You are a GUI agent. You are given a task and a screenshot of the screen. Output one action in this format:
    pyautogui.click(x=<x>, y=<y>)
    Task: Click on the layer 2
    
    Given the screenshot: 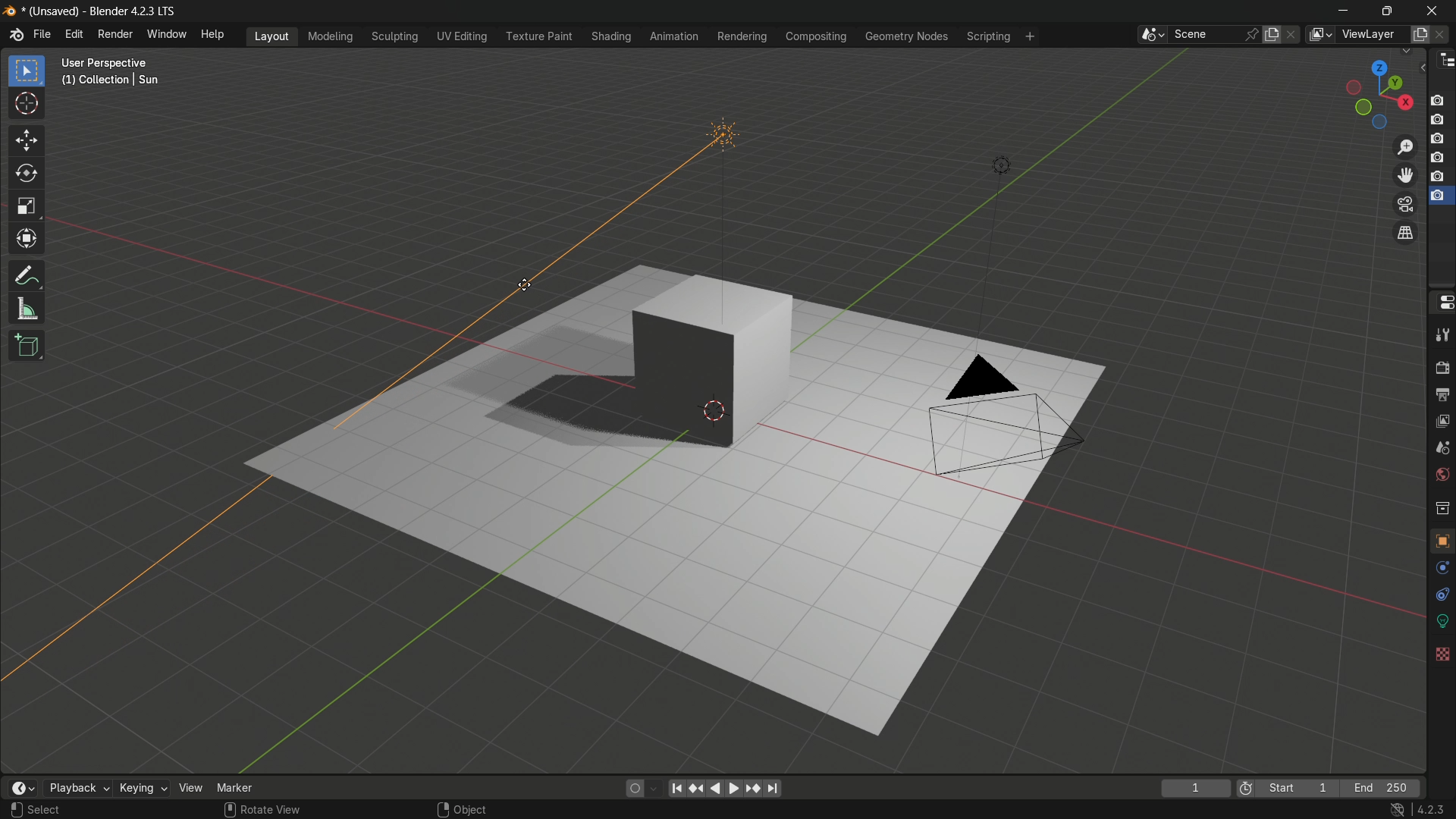 What is the action you would take?
    pyautogui.click(x=1436, y=118)
    